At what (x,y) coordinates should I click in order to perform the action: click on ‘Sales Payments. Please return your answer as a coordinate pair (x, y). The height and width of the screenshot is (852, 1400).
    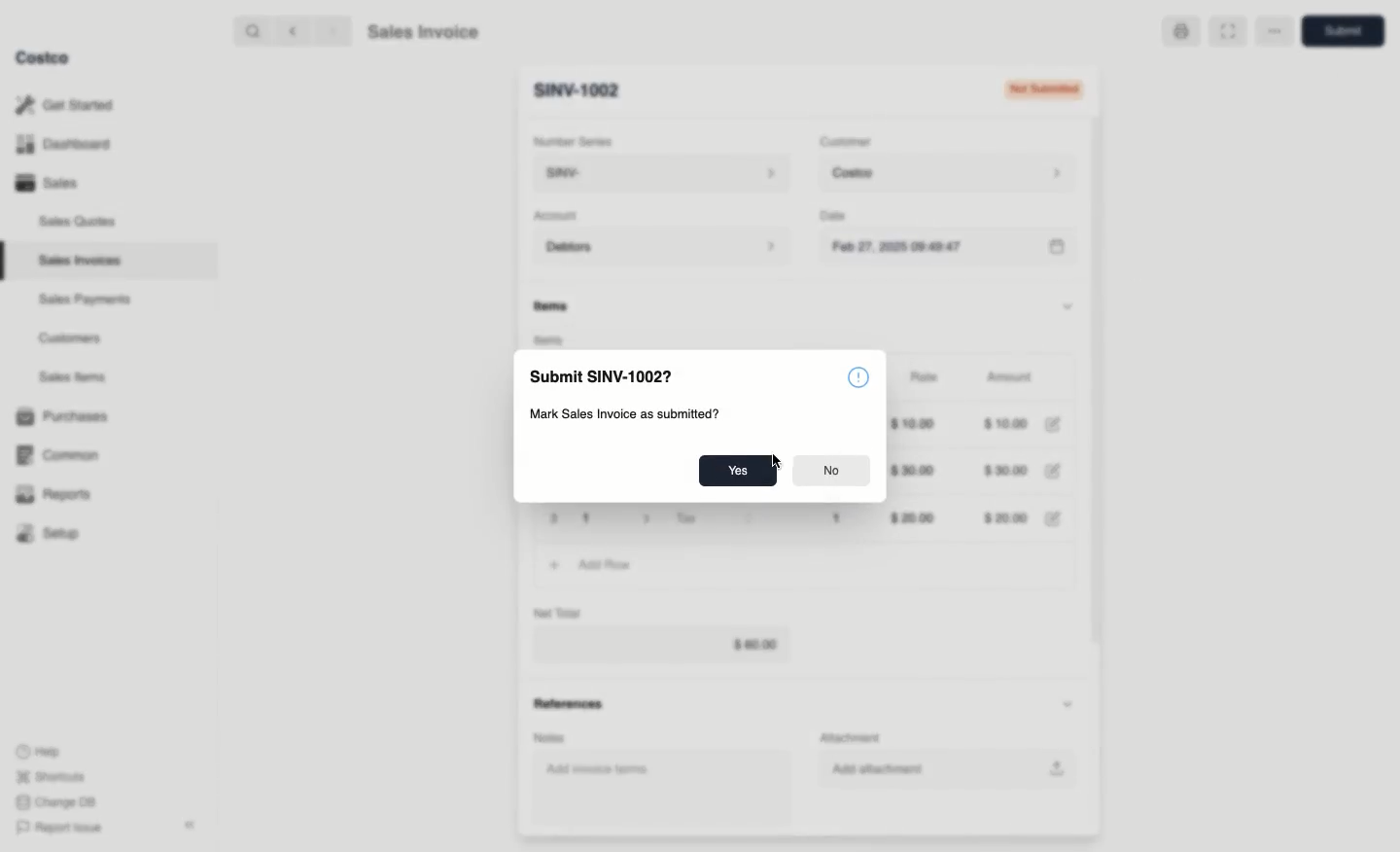
    Looking at the image, I should click on (85, 298).